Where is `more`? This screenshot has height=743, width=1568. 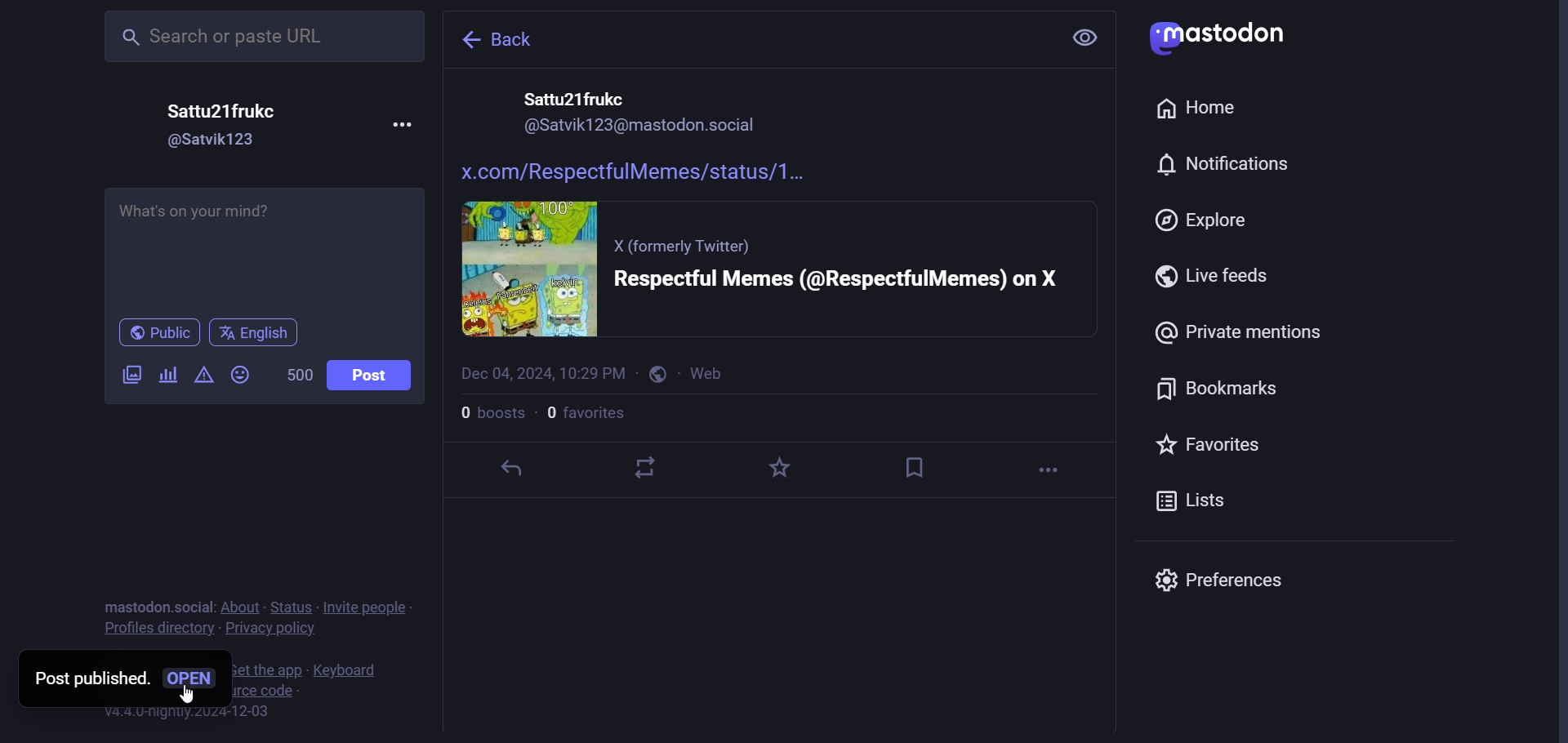
more is located at coordinates (1037, 471).